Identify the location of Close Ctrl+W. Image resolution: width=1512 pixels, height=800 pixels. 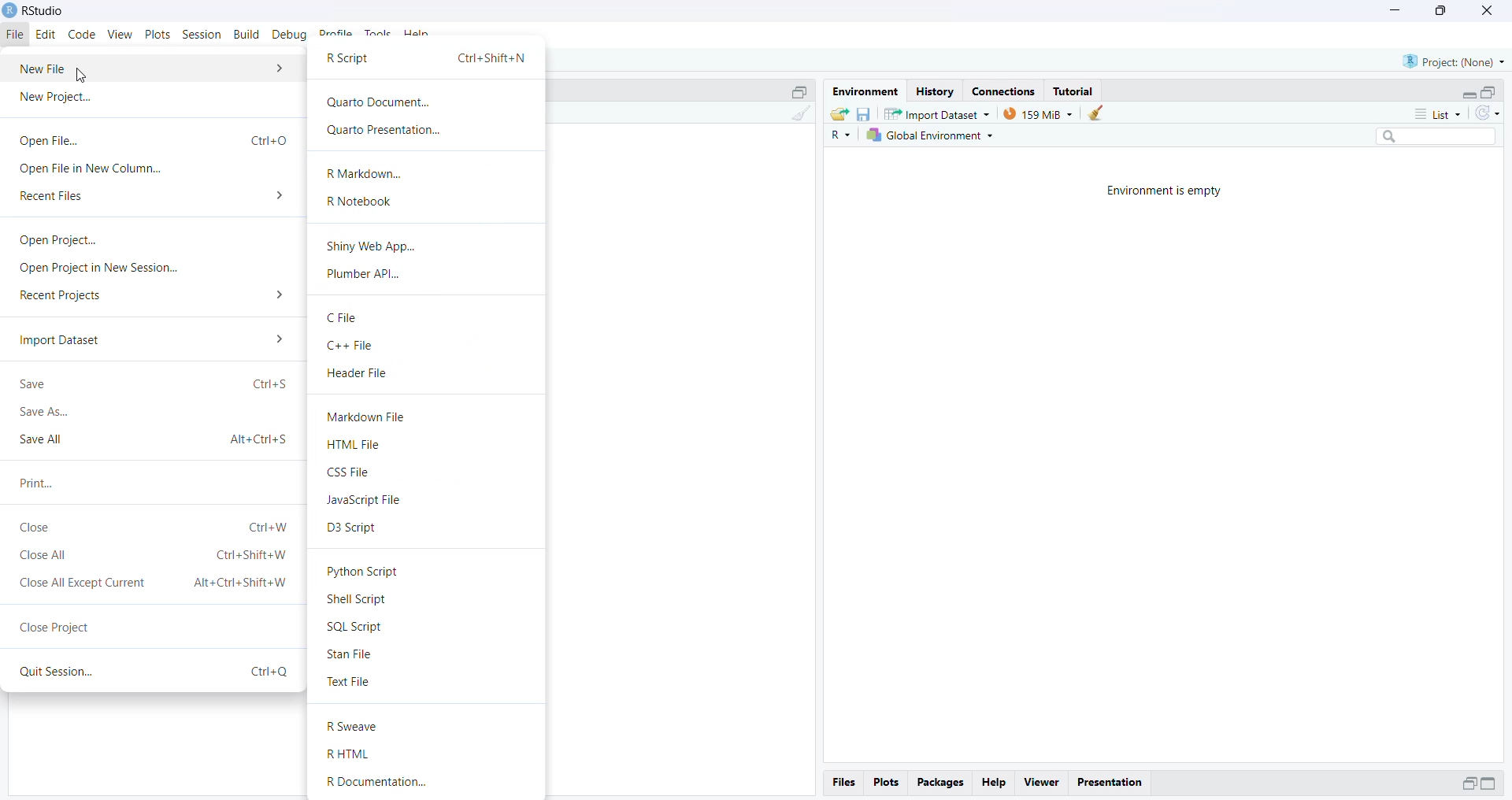
(154, 528).